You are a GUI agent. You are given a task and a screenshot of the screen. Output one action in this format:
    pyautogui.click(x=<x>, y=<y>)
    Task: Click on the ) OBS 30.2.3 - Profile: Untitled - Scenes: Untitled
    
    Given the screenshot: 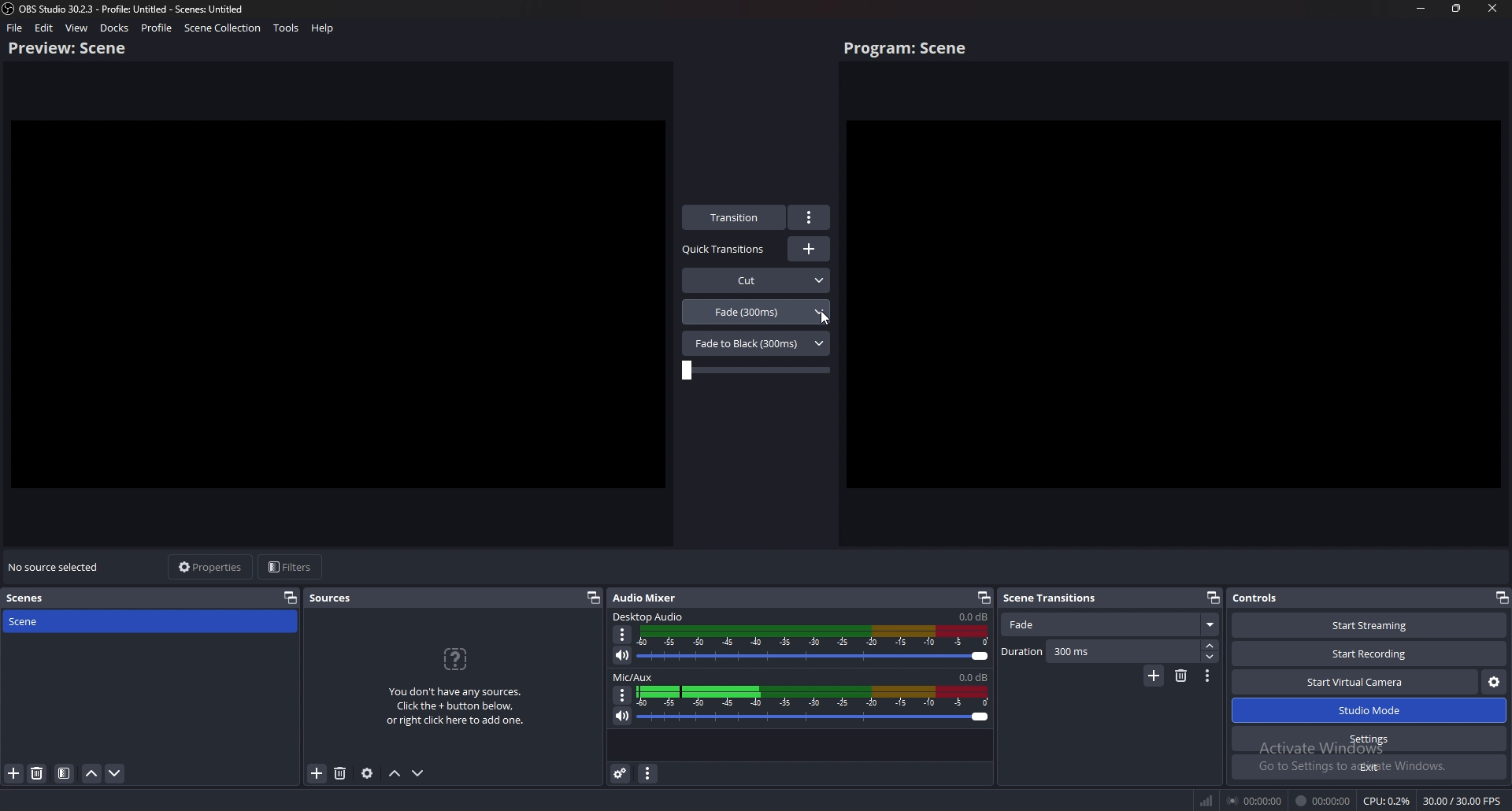 What is the action you would take?
    pyautogui.click(x=142, y=8)
    